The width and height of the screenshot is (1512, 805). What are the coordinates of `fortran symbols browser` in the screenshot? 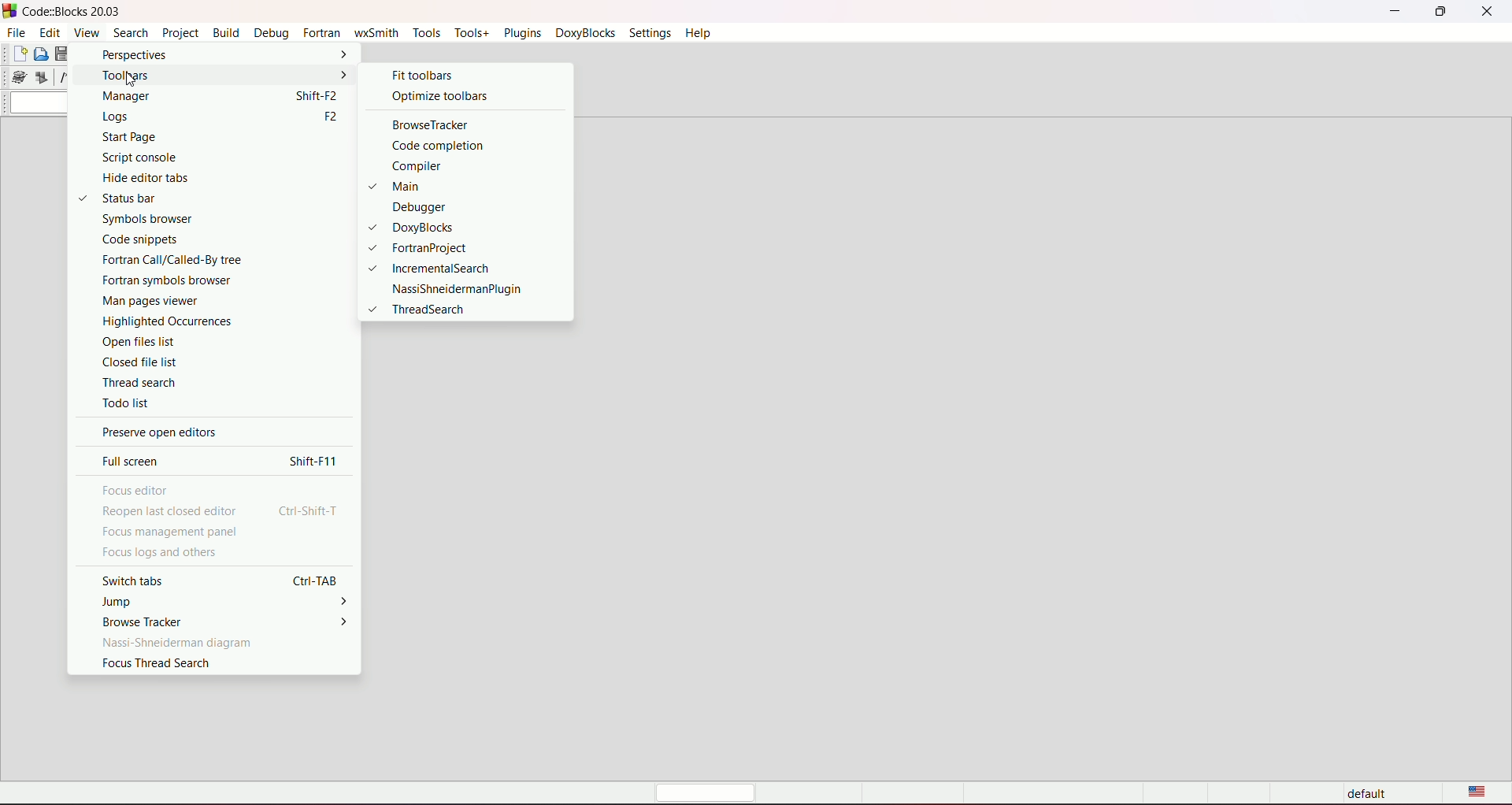 It's located at (201, 280).